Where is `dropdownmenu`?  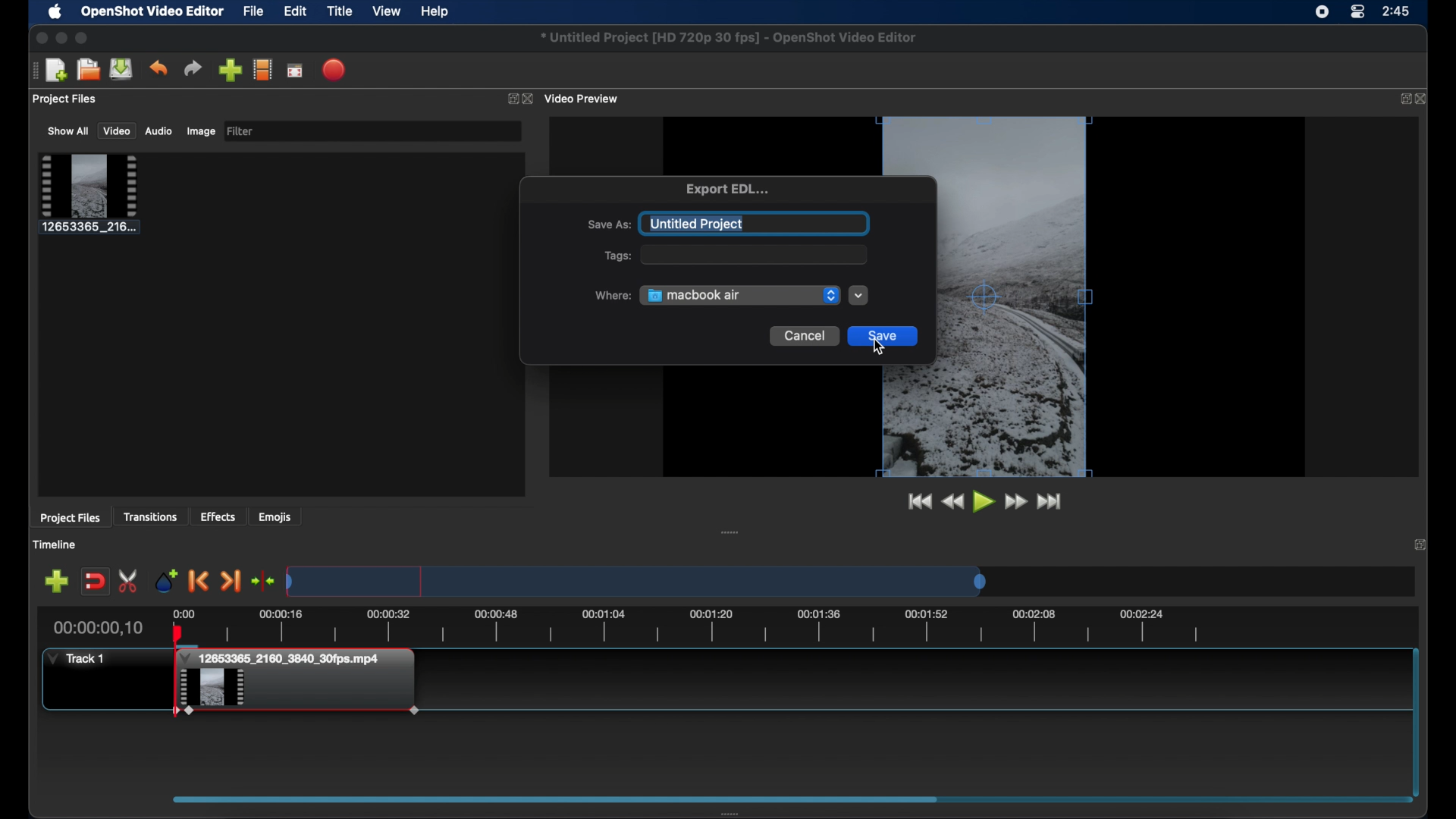 dropdownmenu is located at coordinates (830, 295).